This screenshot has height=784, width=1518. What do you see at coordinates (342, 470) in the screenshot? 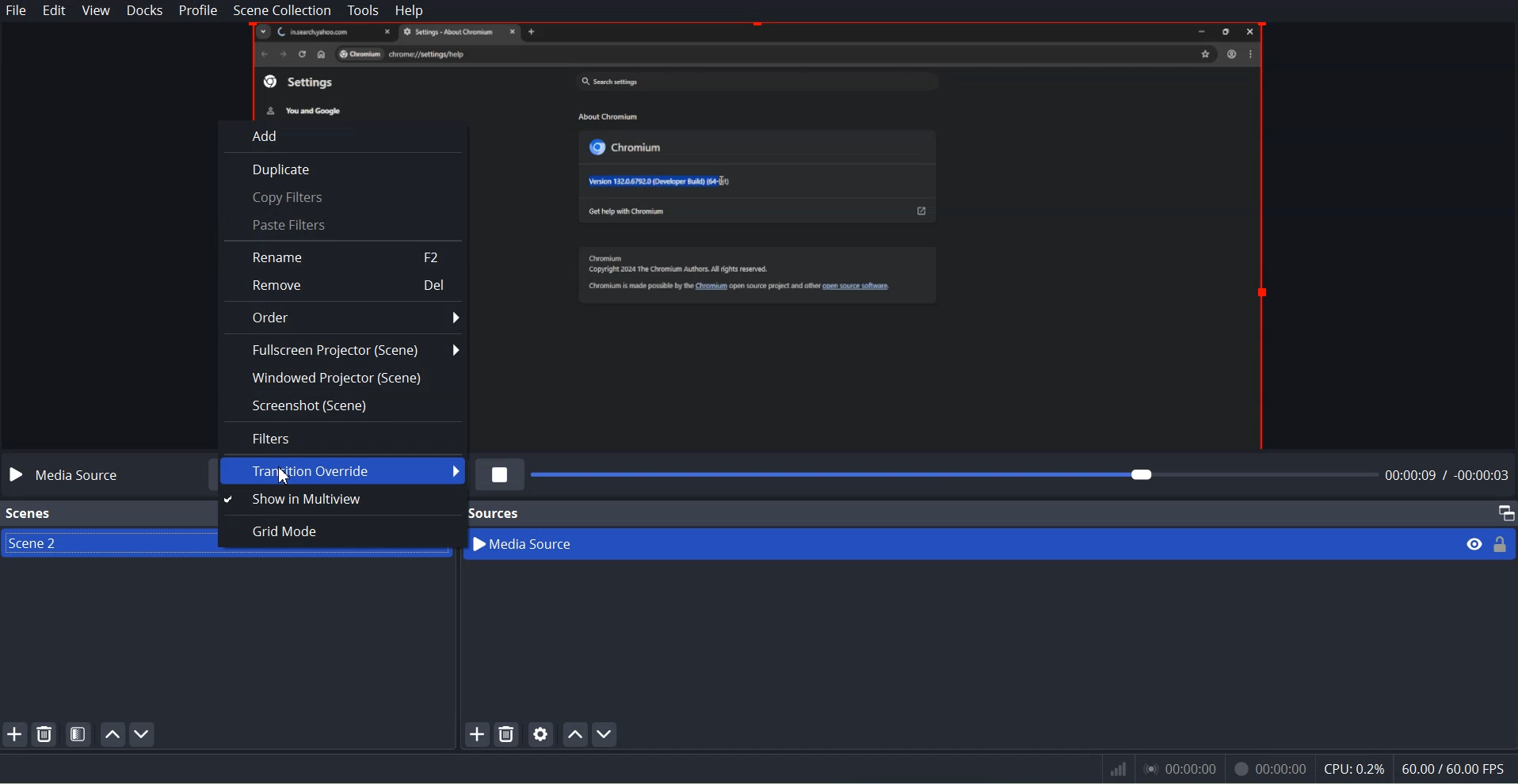
I see `Transition Override` at bounding box center [342, 470].